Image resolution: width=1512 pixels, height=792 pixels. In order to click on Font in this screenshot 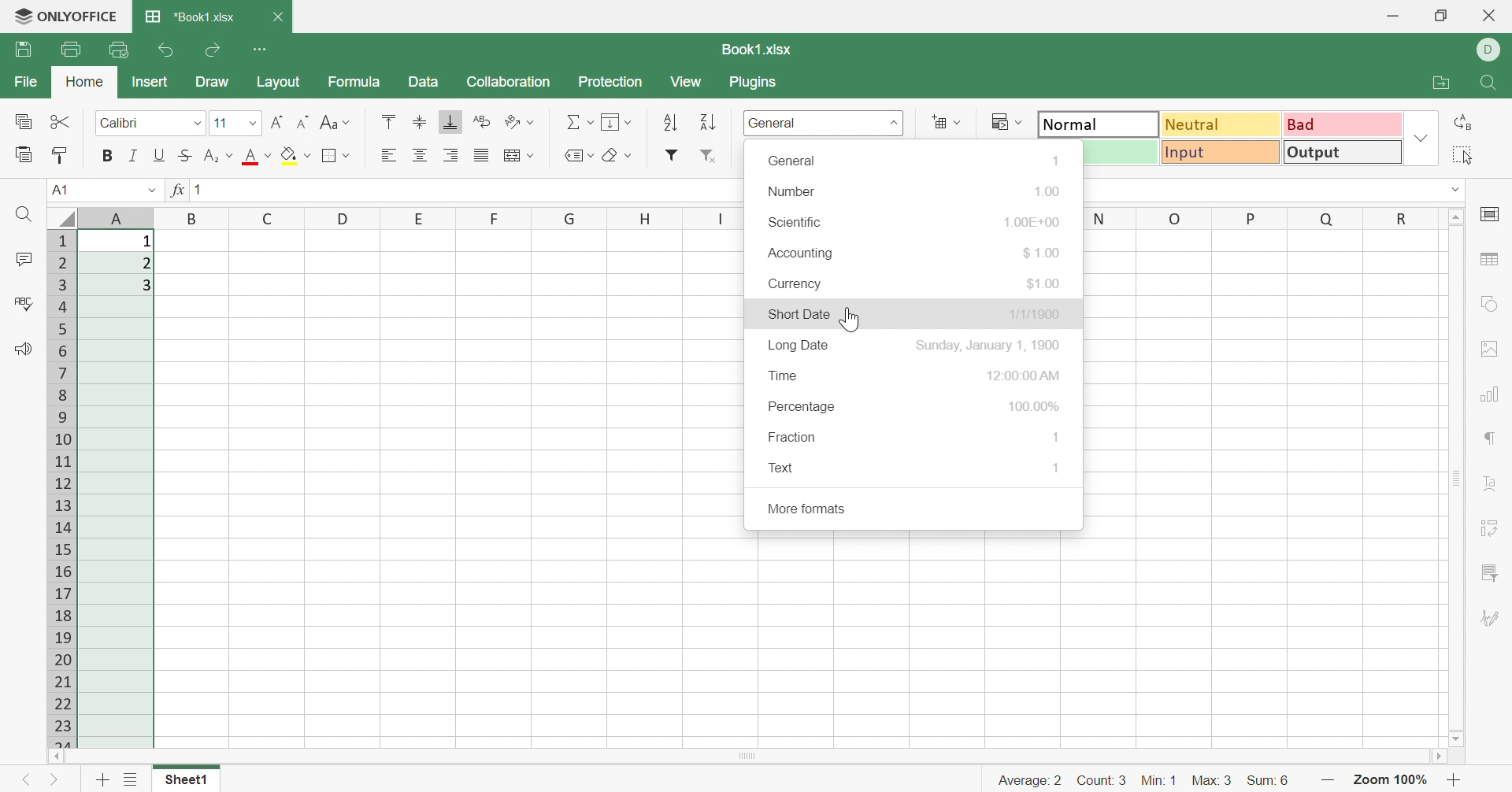, I will do `click(255, 157)`.